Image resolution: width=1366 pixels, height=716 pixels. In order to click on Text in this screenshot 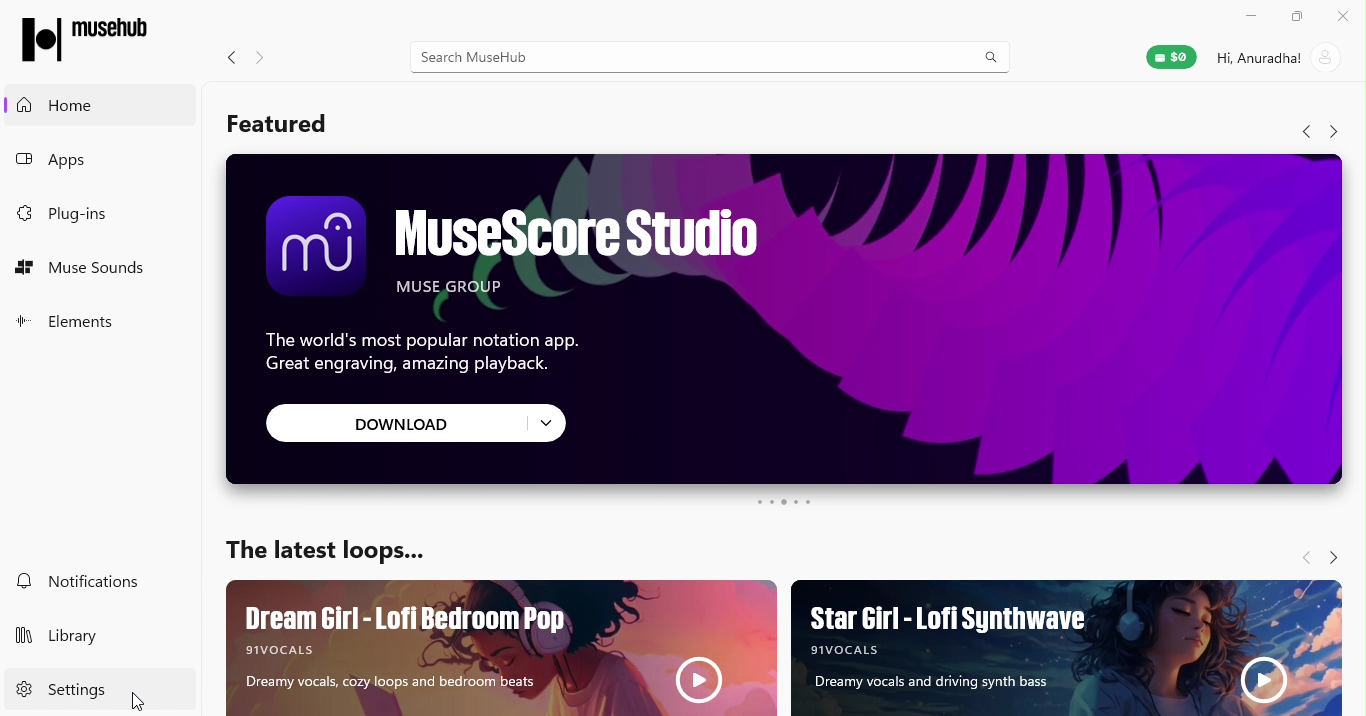, I will do `click(333, 552)`.